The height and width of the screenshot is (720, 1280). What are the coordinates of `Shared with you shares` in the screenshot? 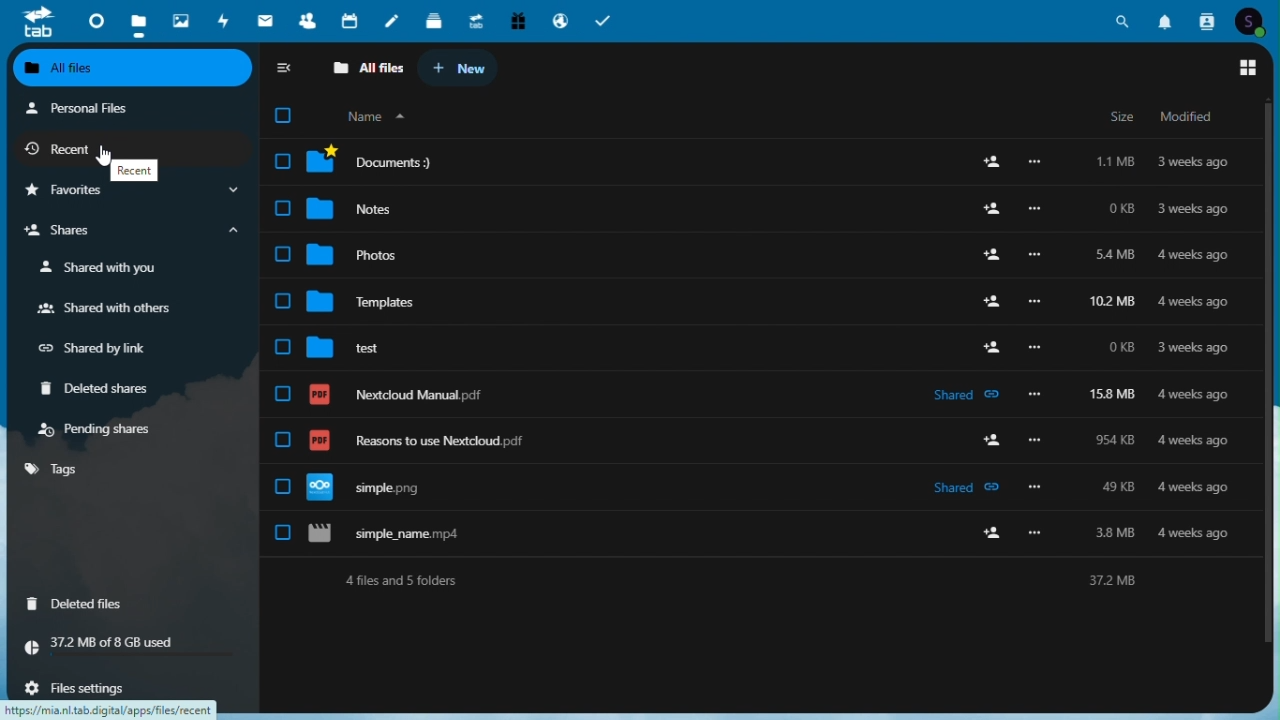 It's located at (93, 268).